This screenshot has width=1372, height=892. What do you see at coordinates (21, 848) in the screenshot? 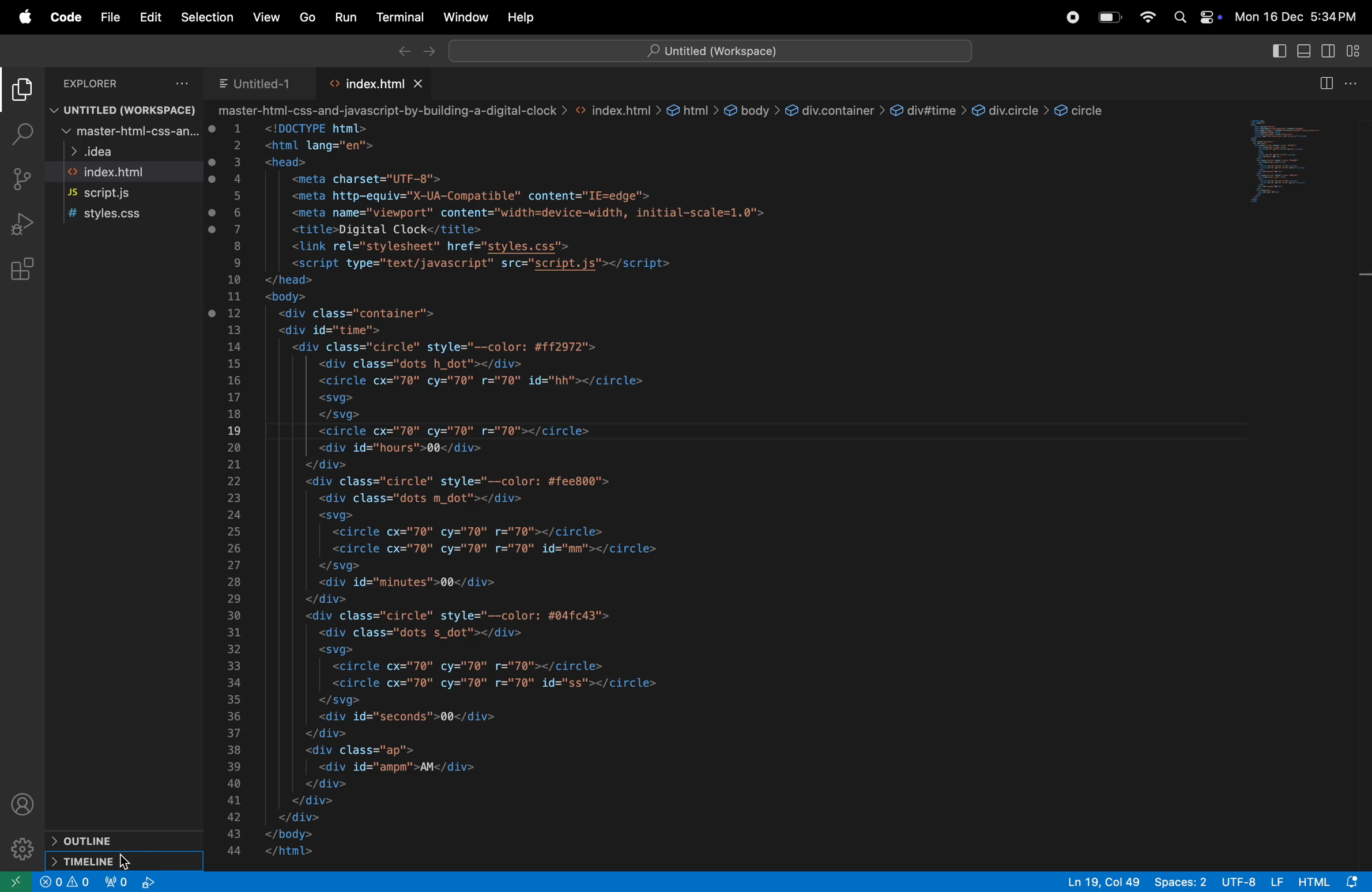
I see `settings` at bounding box center [21, 848].